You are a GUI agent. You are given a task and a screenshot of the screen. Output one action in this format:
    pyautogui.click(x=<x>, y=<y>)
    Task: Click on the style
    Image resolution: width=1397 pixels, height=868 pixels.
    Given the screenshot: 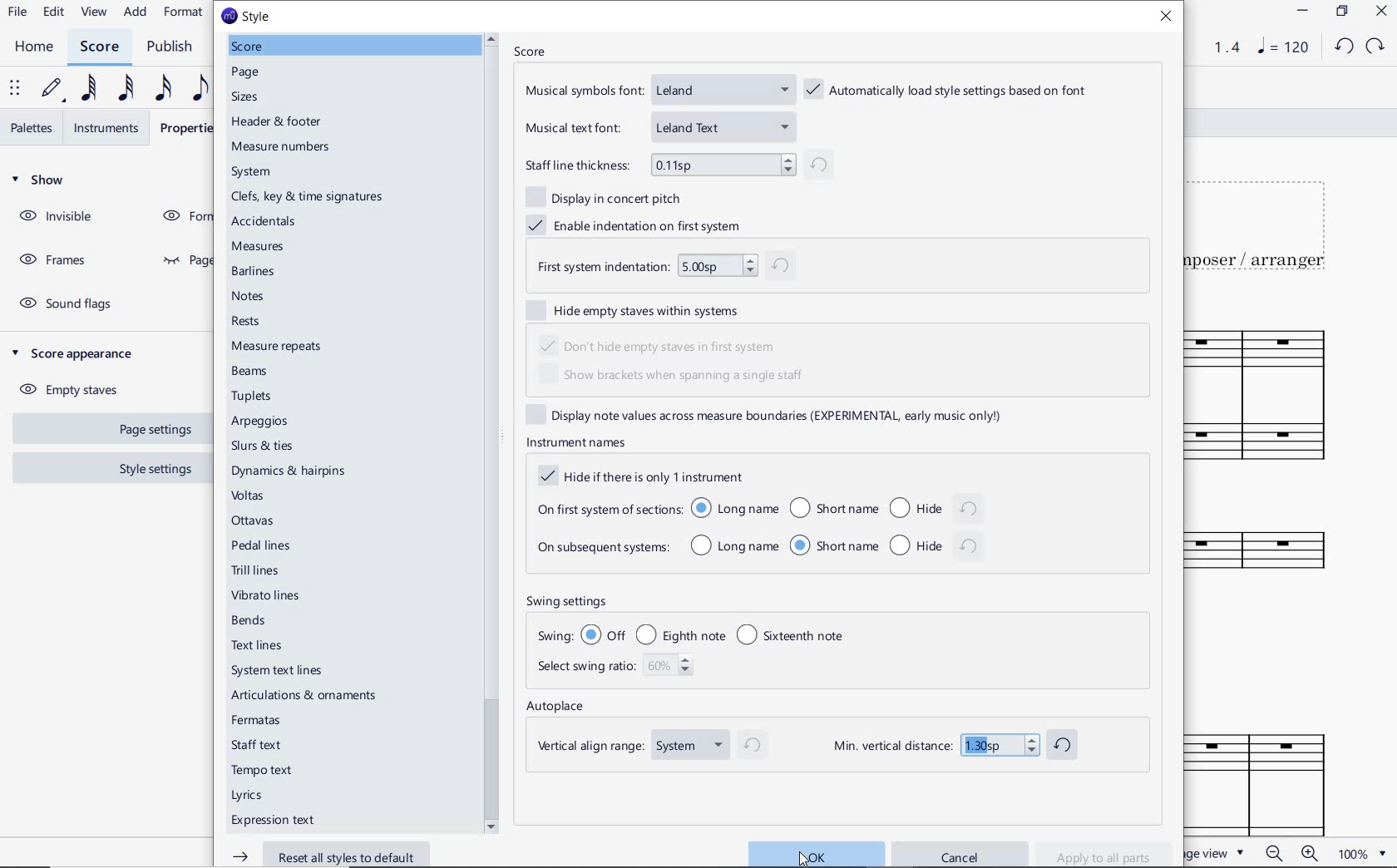 What is the action you would take?
    pyautogui.click(x=251, y=15)
    